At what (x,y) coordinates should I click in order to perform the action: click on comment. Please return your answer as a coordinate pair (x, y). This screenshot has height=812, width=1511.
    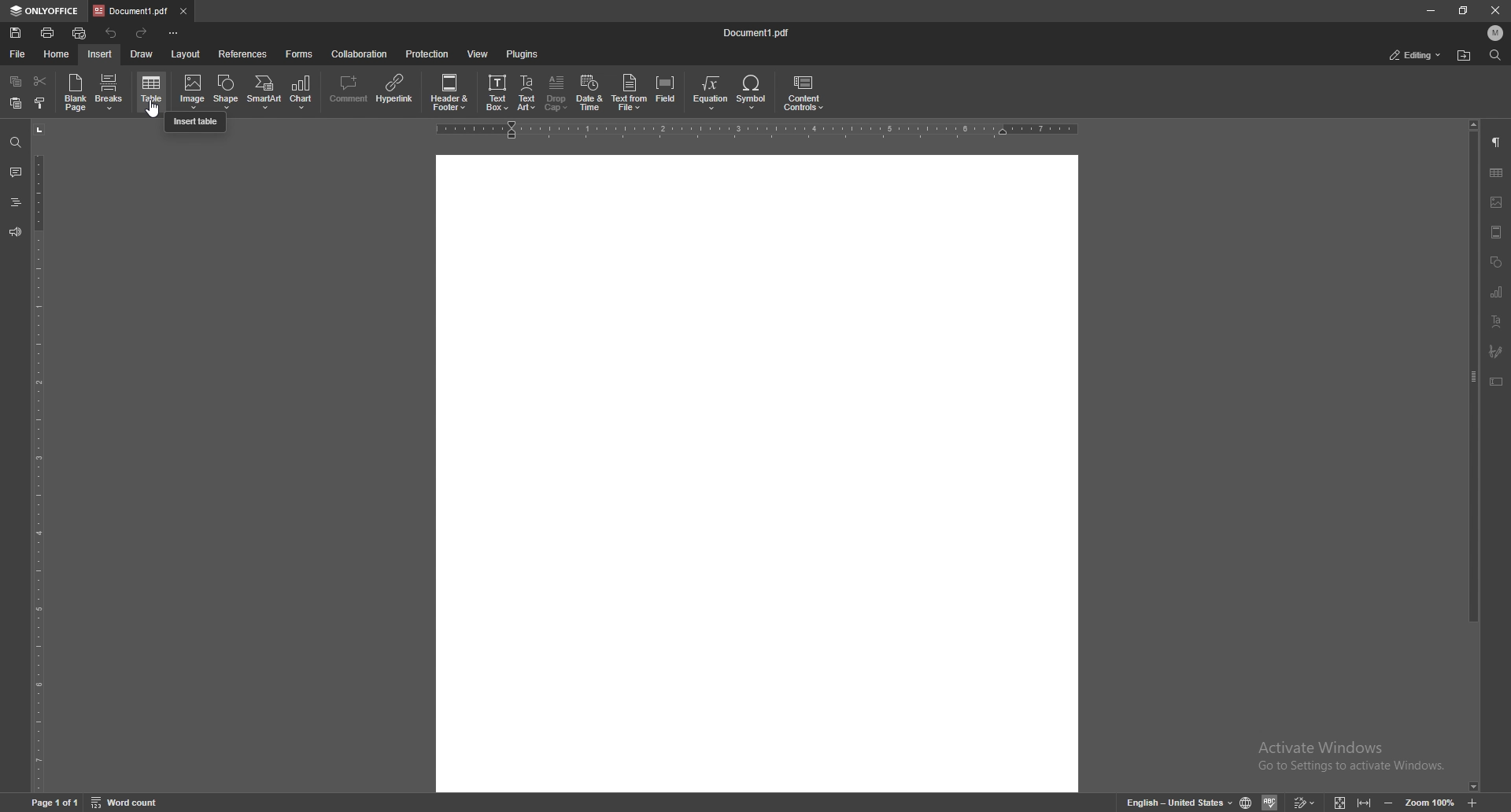
    Looking at the image, I should click on (16, 172).